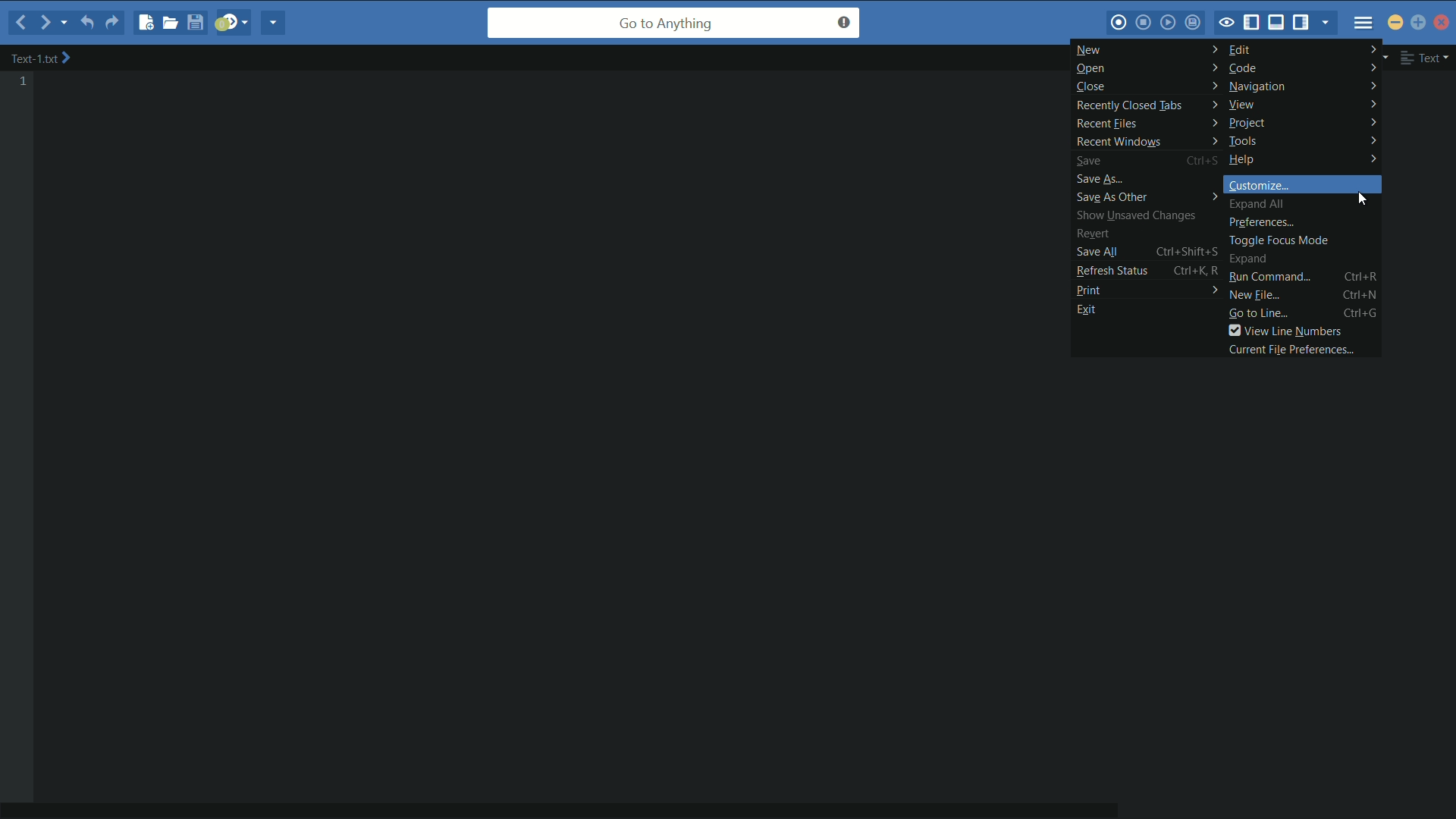 This screenshot has width=1456, height=819. What do you see at coordinates (24, 82) in the screenshot?
I see `line number` at bounding box center [24, 82].